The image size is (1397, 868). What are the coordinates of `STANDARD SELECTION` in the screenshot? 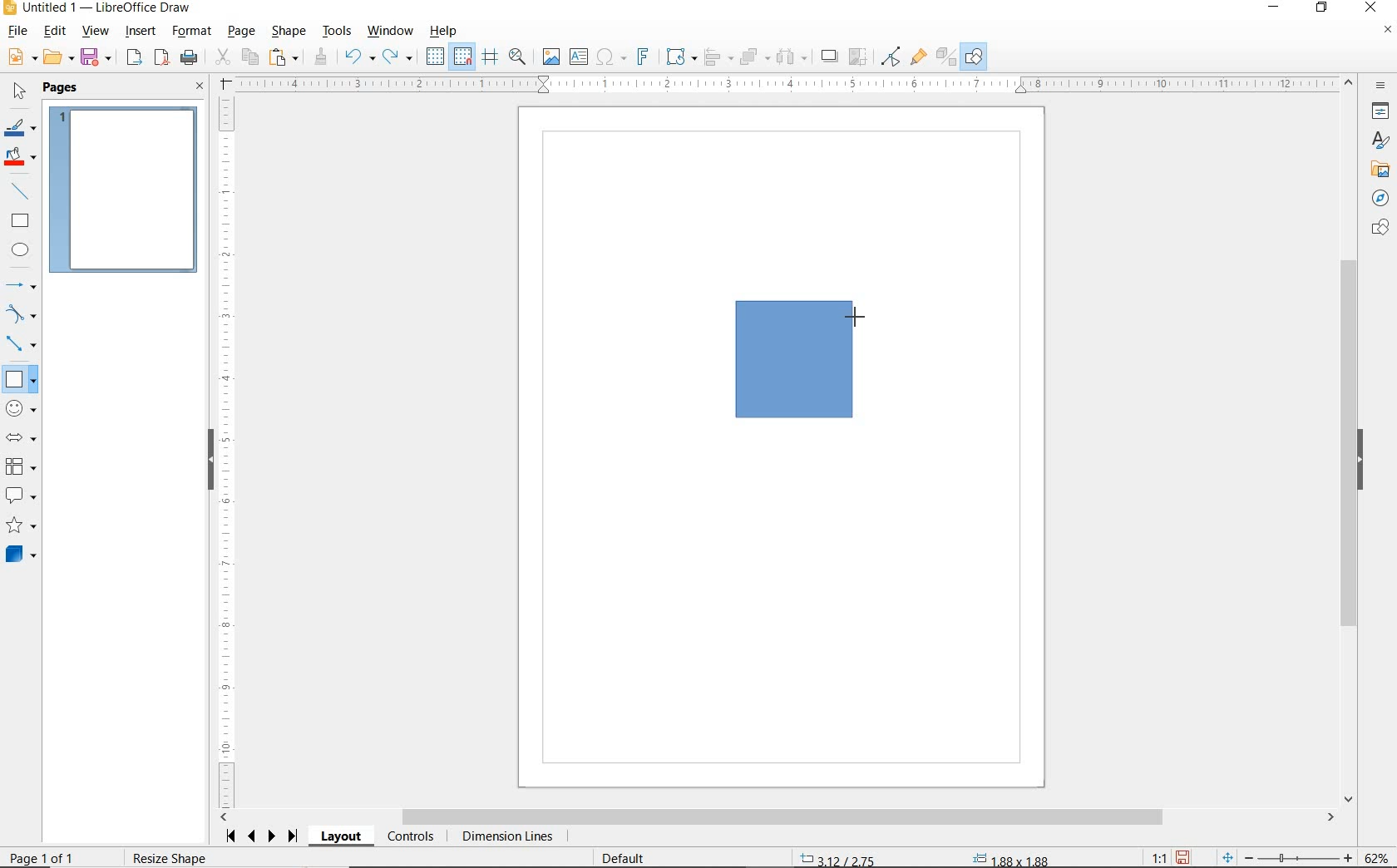 It's located at (926, 856).